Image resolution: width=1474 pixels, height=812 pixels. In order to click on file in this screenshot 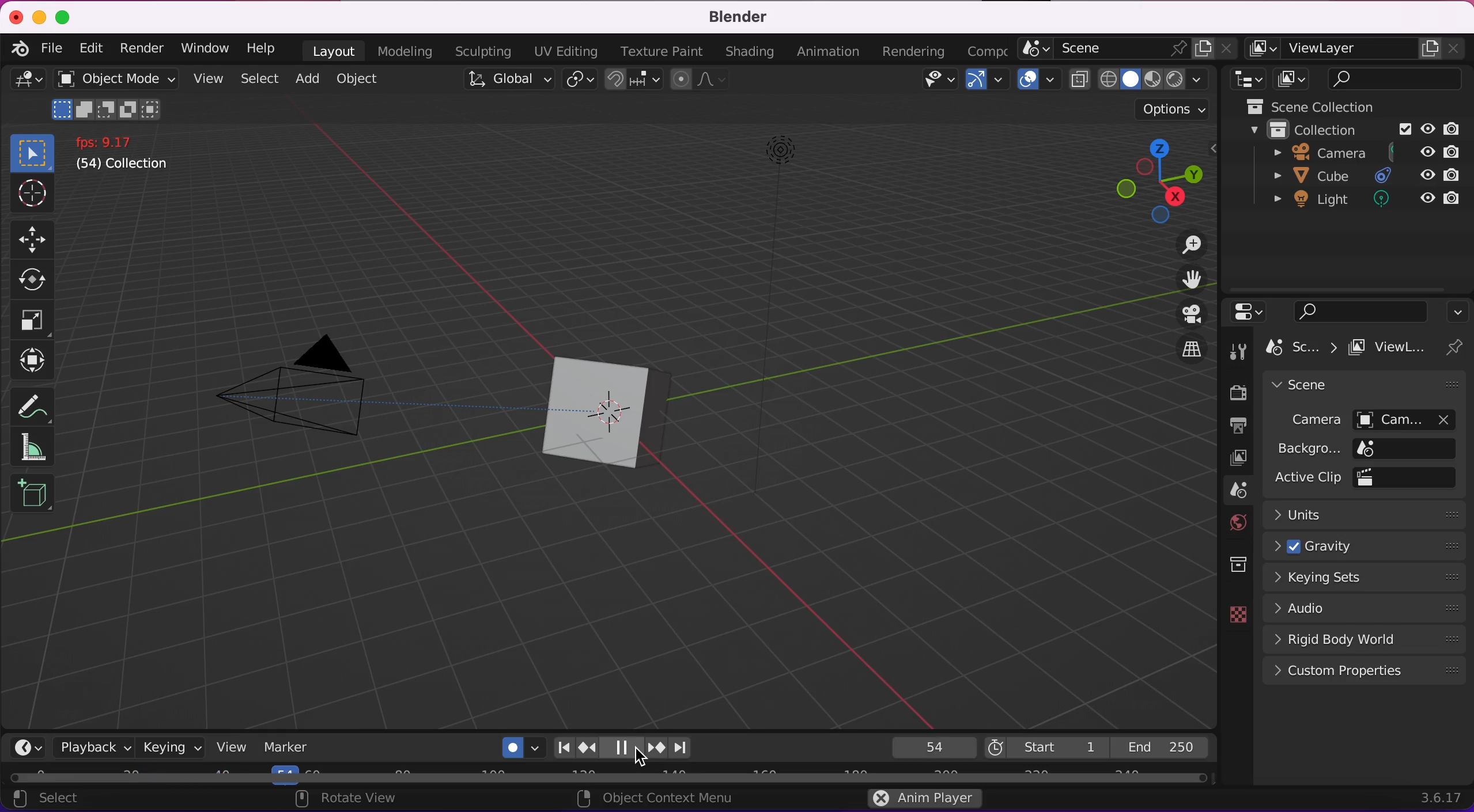, I will do `click(49, 48)`.